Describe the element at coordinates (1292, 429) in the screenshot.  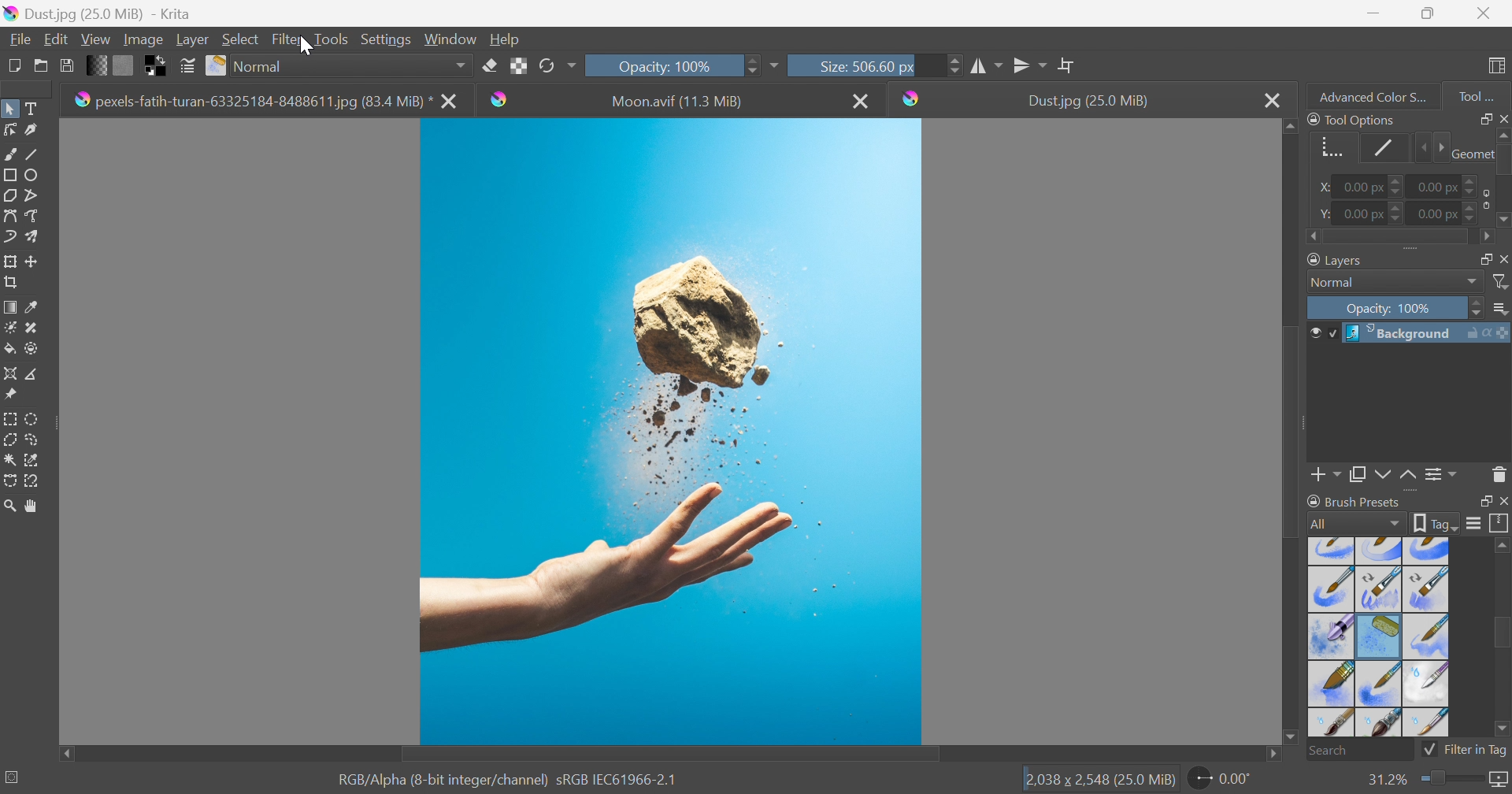
I see `Scroll Bar` at that location.